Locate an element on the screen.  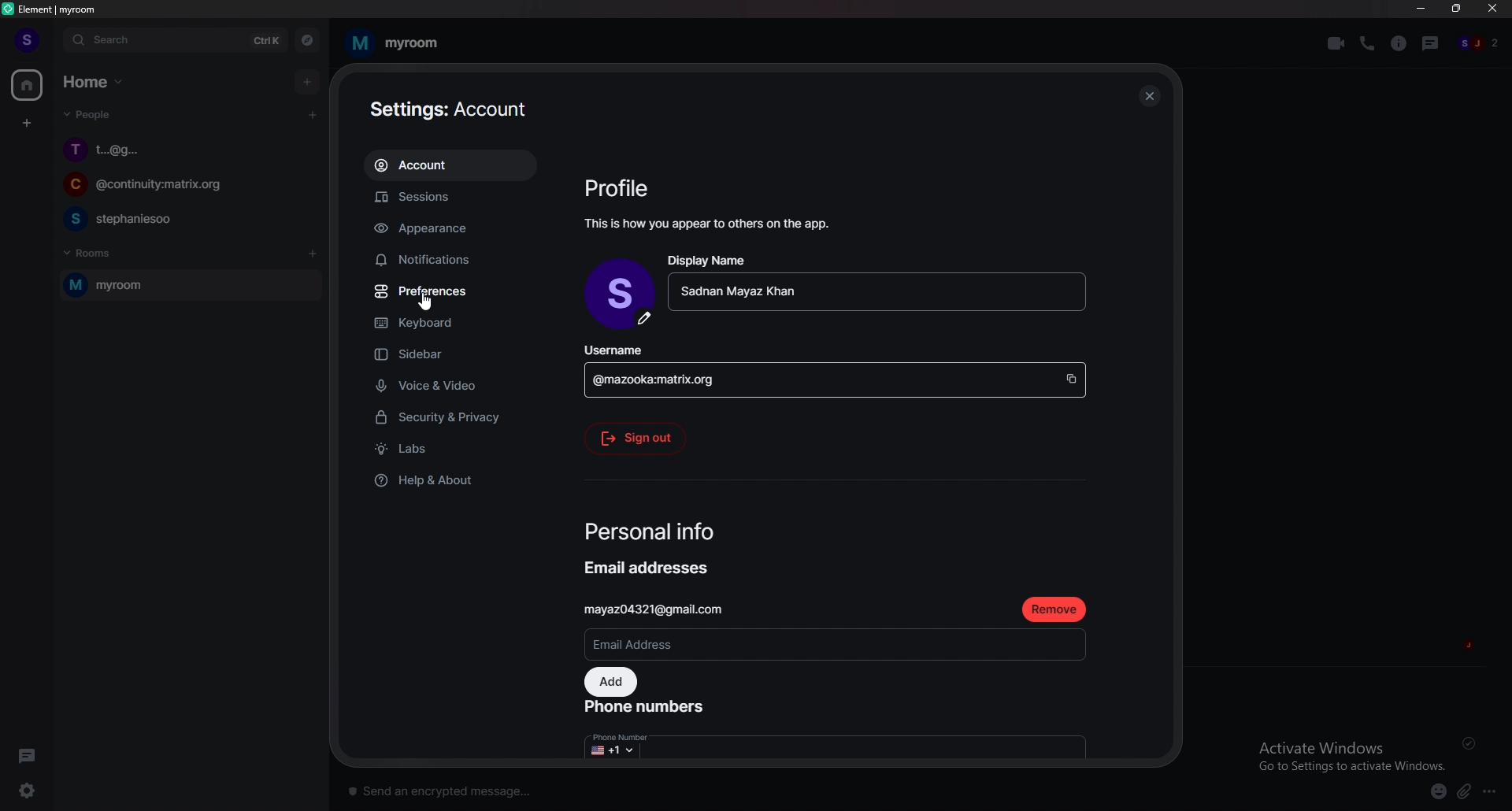
chat is located at coordinates (186, 218).